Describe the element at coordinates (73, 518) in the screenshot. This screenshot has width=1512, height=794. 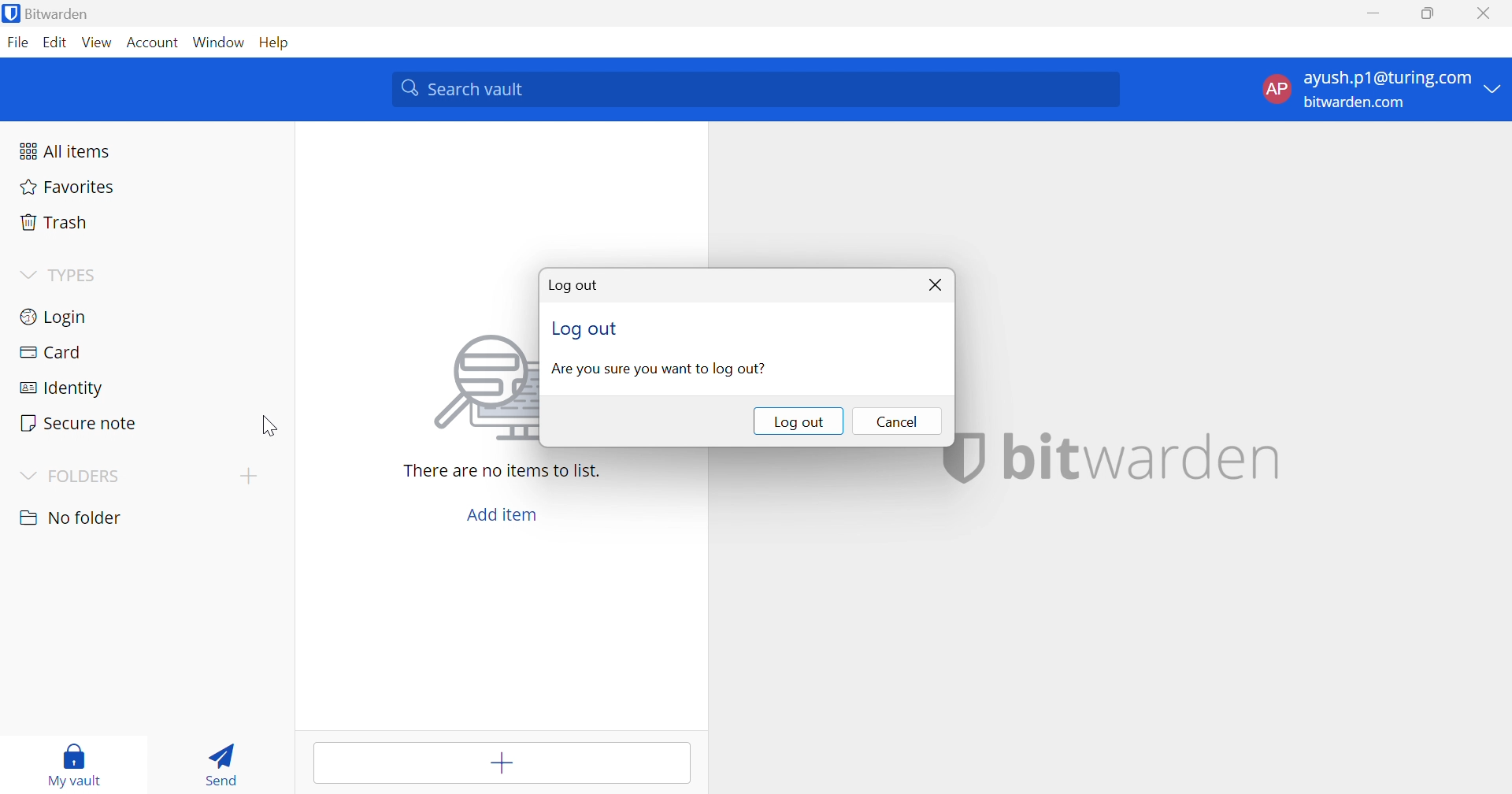
I see `No folder` at that location.